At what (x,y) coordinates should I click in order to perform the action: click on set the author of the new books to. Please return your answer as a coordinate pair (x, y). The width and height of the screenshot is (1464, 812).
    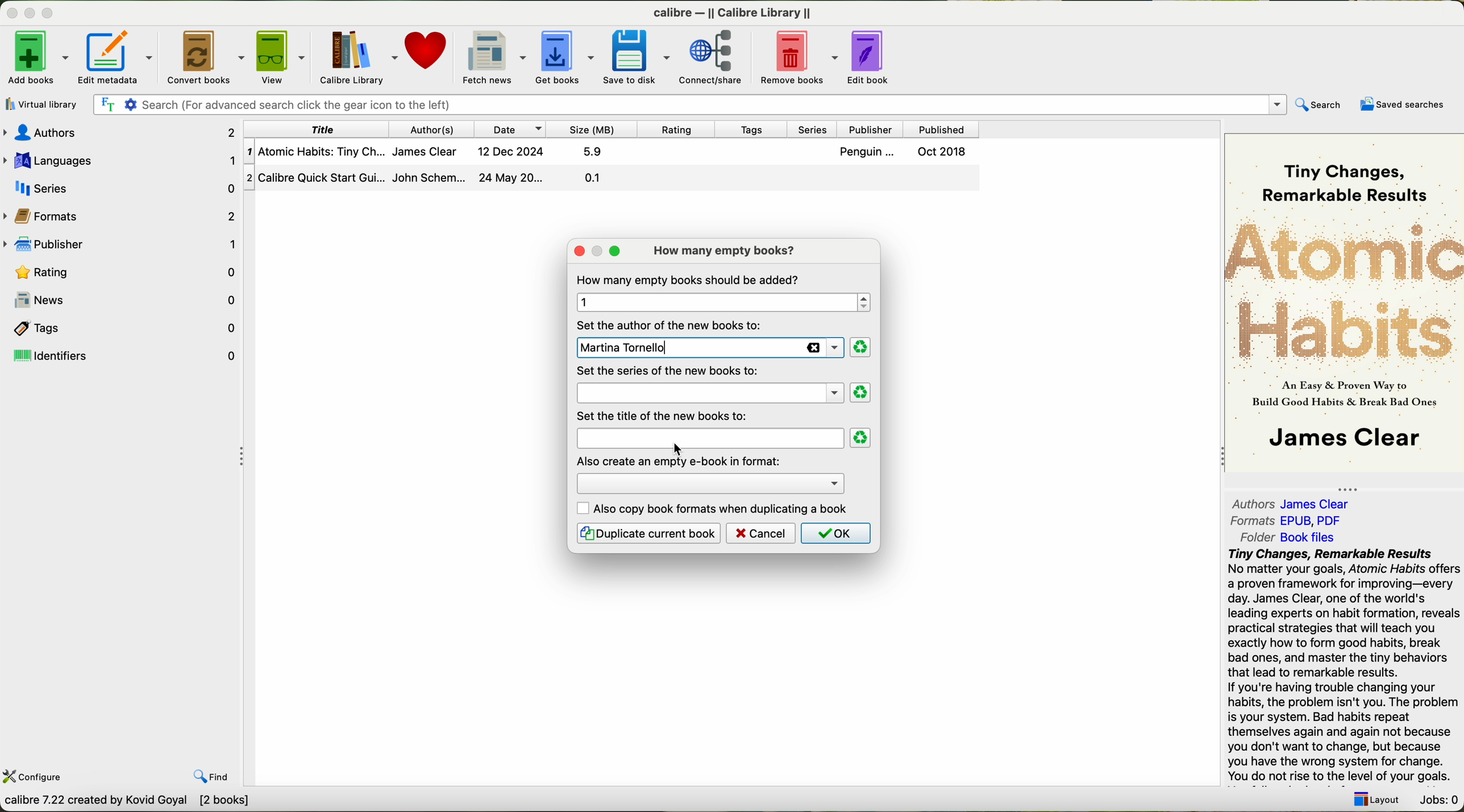
    Looking at the image, I should click on (672, 324).